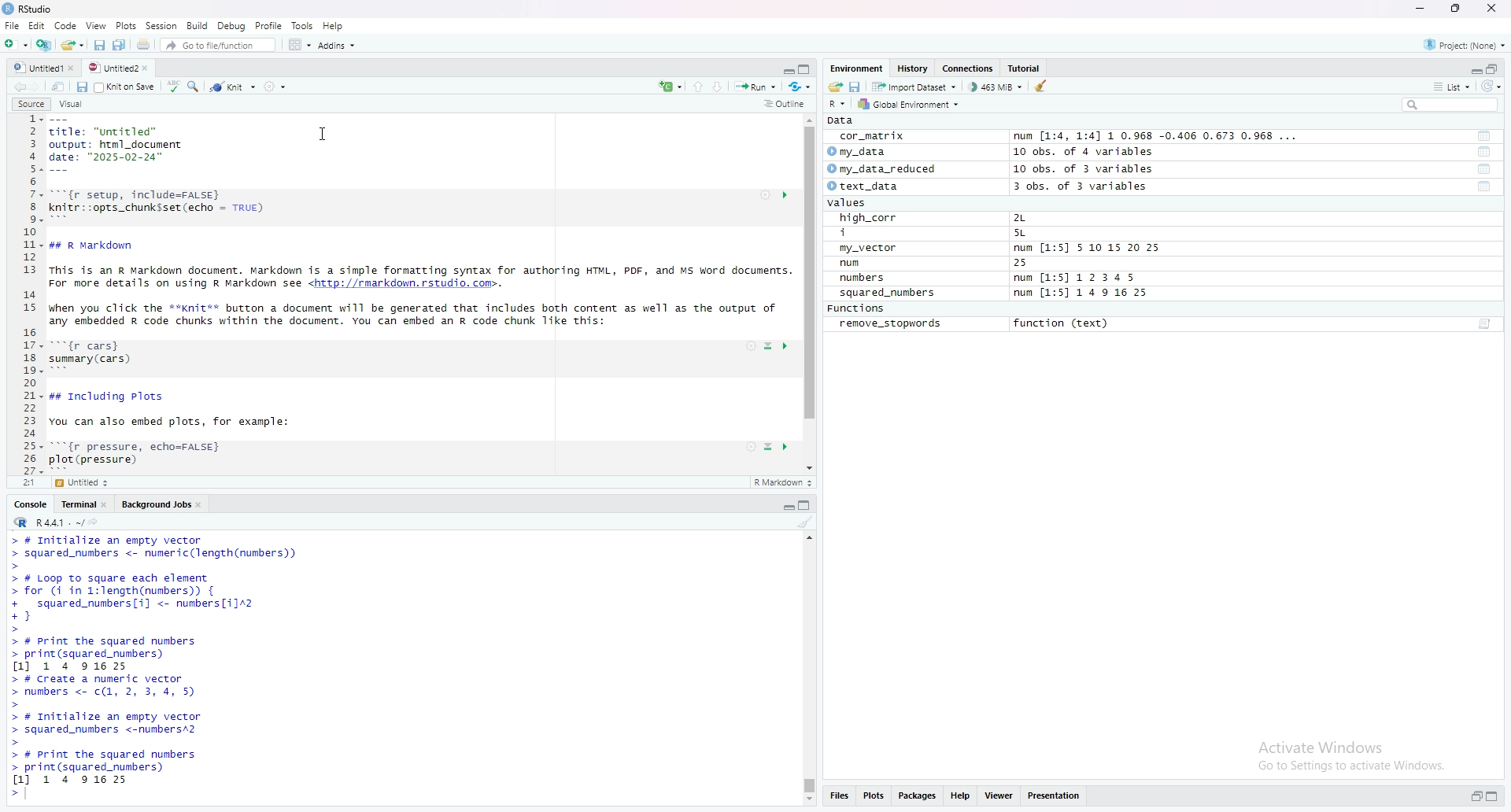 The image size is (1511, 812). What do you see at coordinates (806, 69) in the screenshot?
I see `maximize` at bounding box center [806, 69].